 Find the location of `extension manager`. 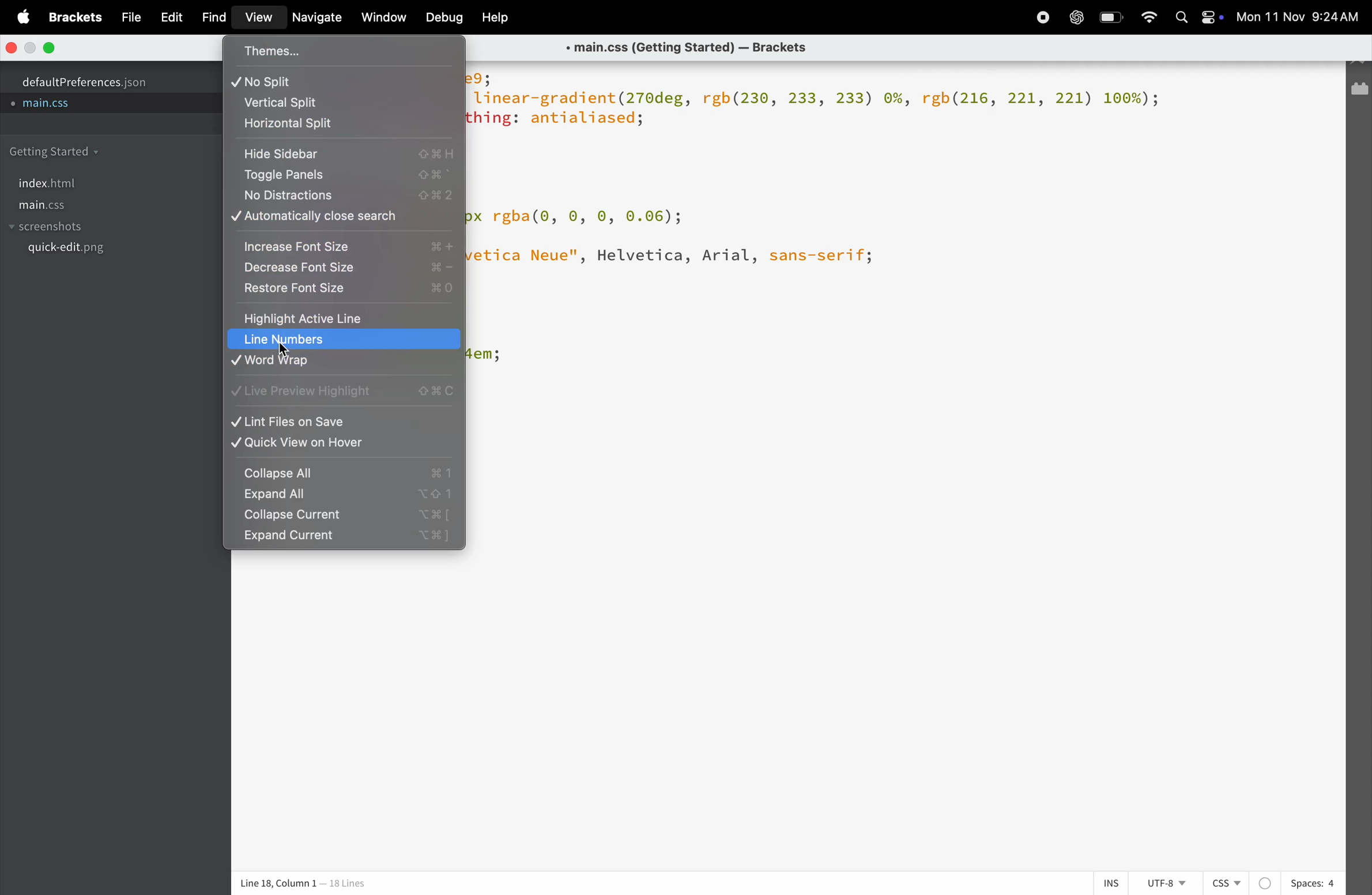

extension manager is located at coordinates (1360, 92).